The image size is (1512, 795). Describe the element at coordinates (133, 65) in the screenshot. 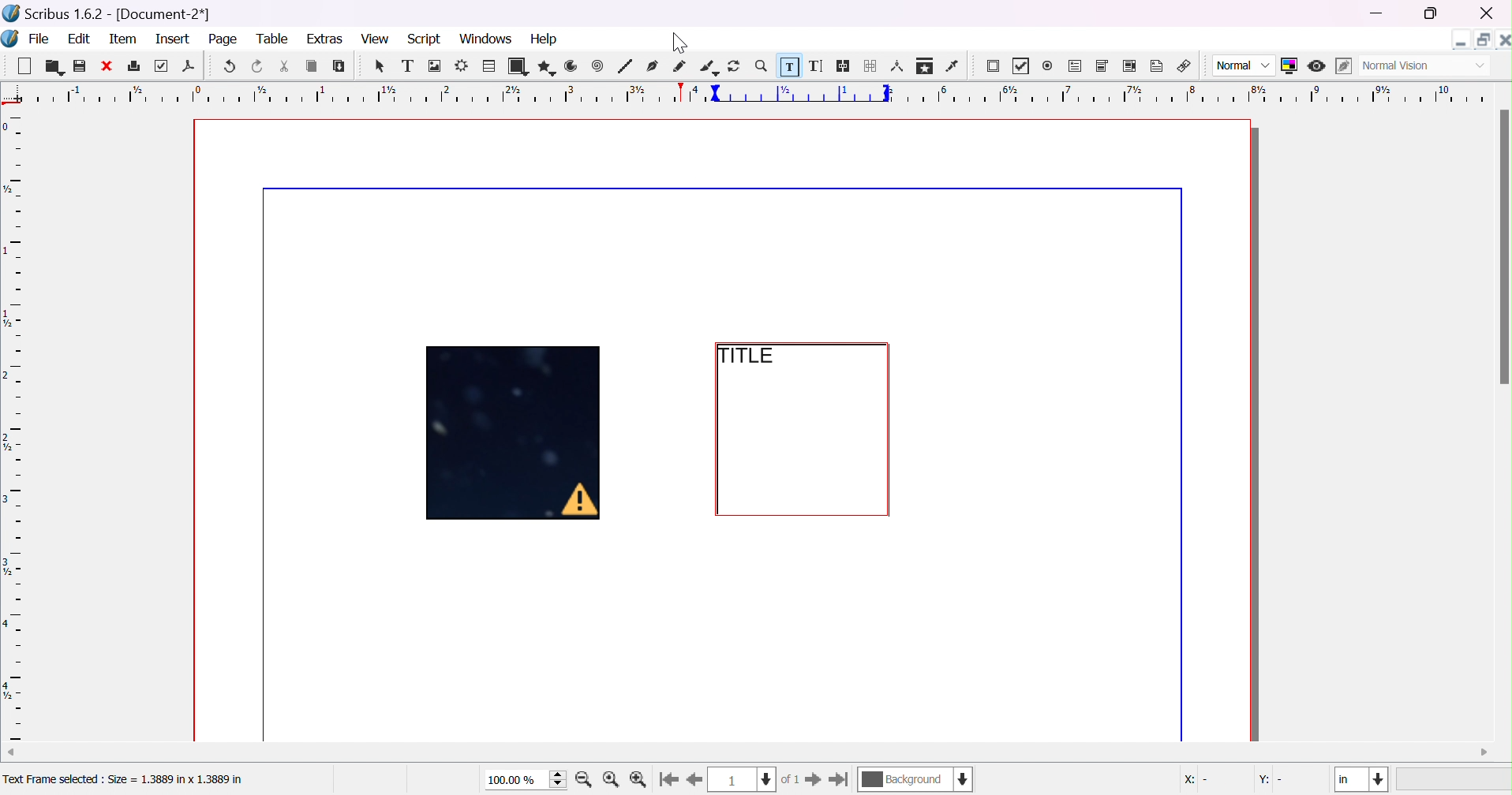

I see `print` at that location.